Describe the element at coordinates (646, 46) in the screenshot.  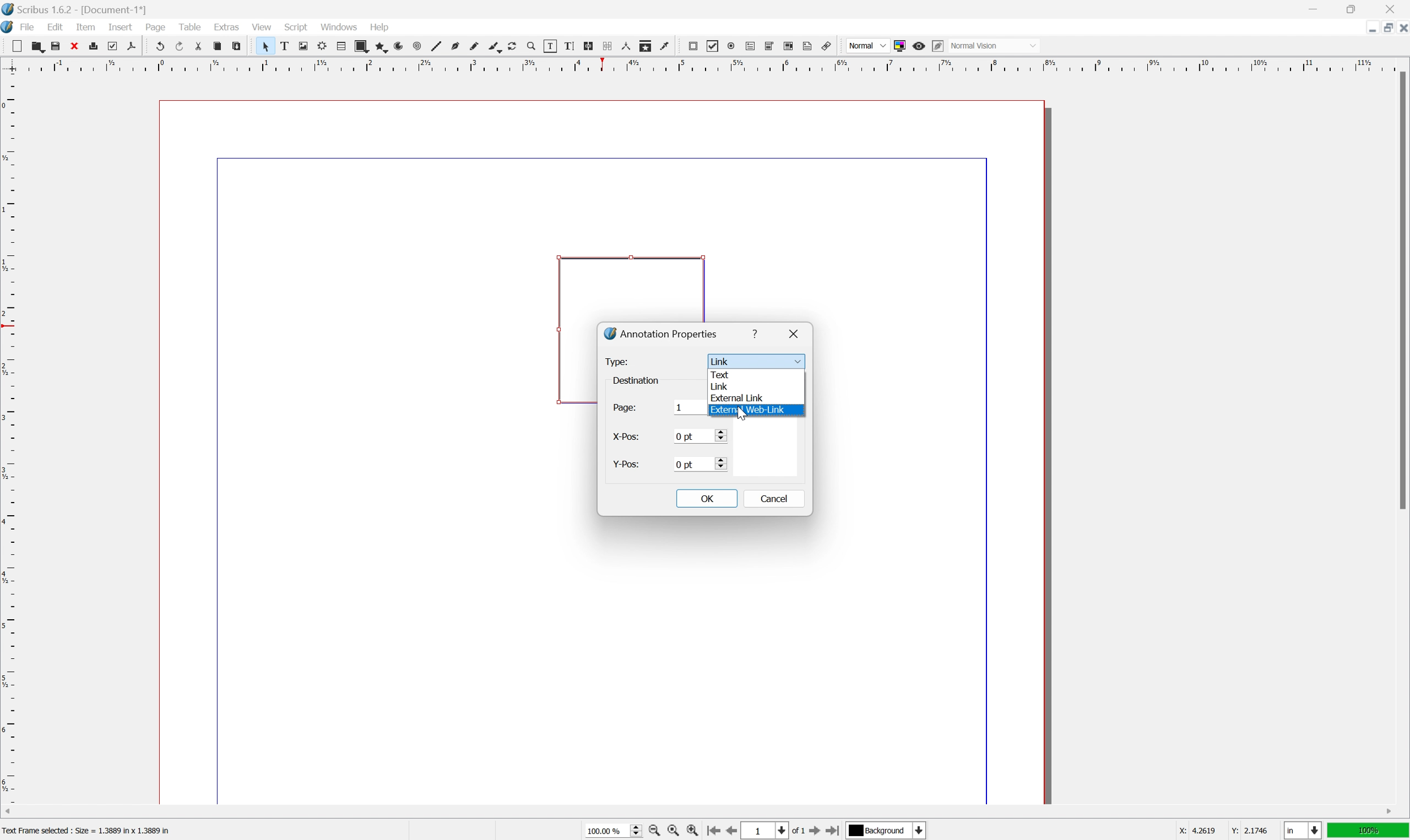
I see `copy item properties` at that location.